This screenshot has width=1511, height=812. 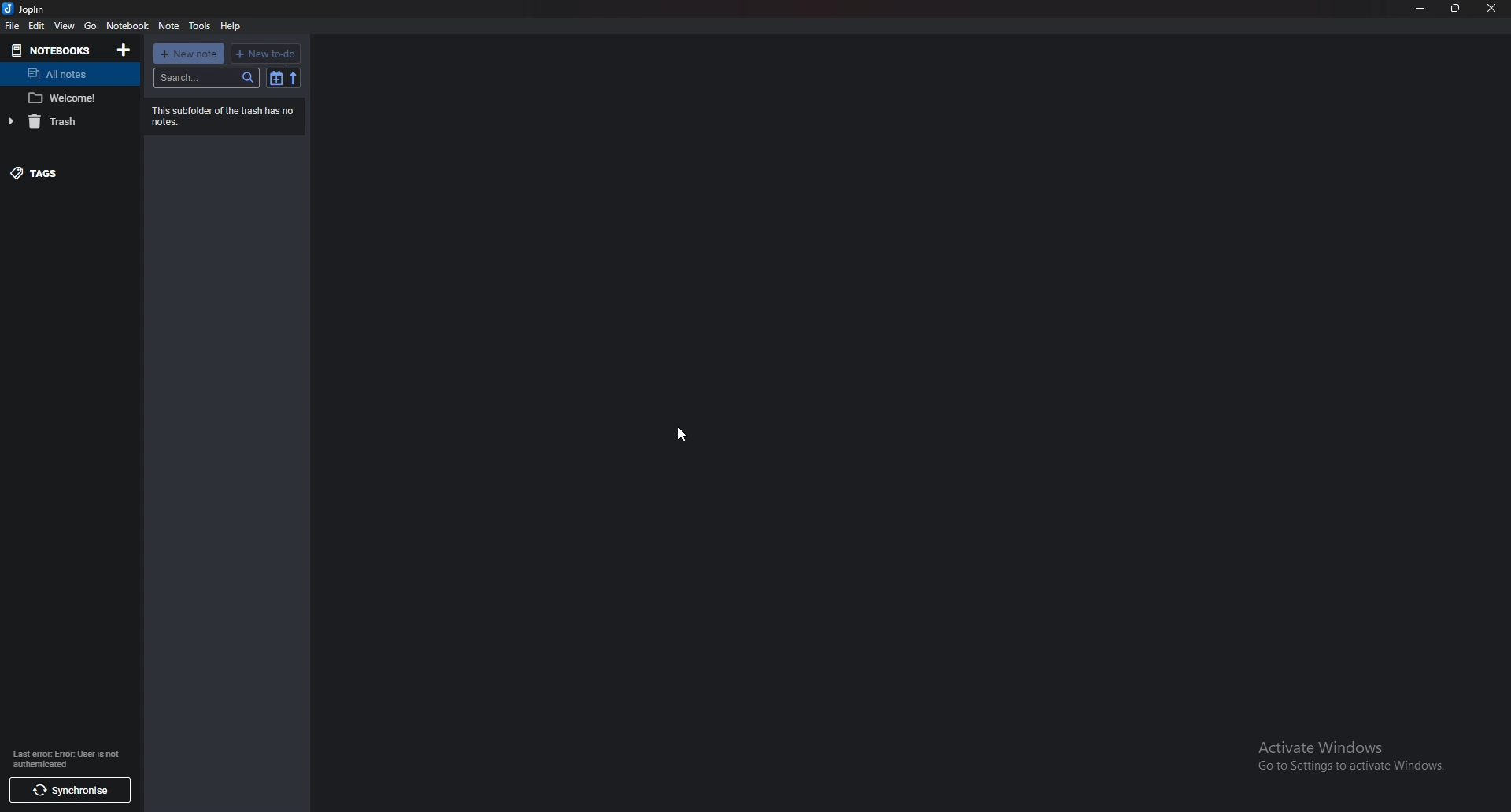 I want to click on toggle sort, so click(x=277, y=77).